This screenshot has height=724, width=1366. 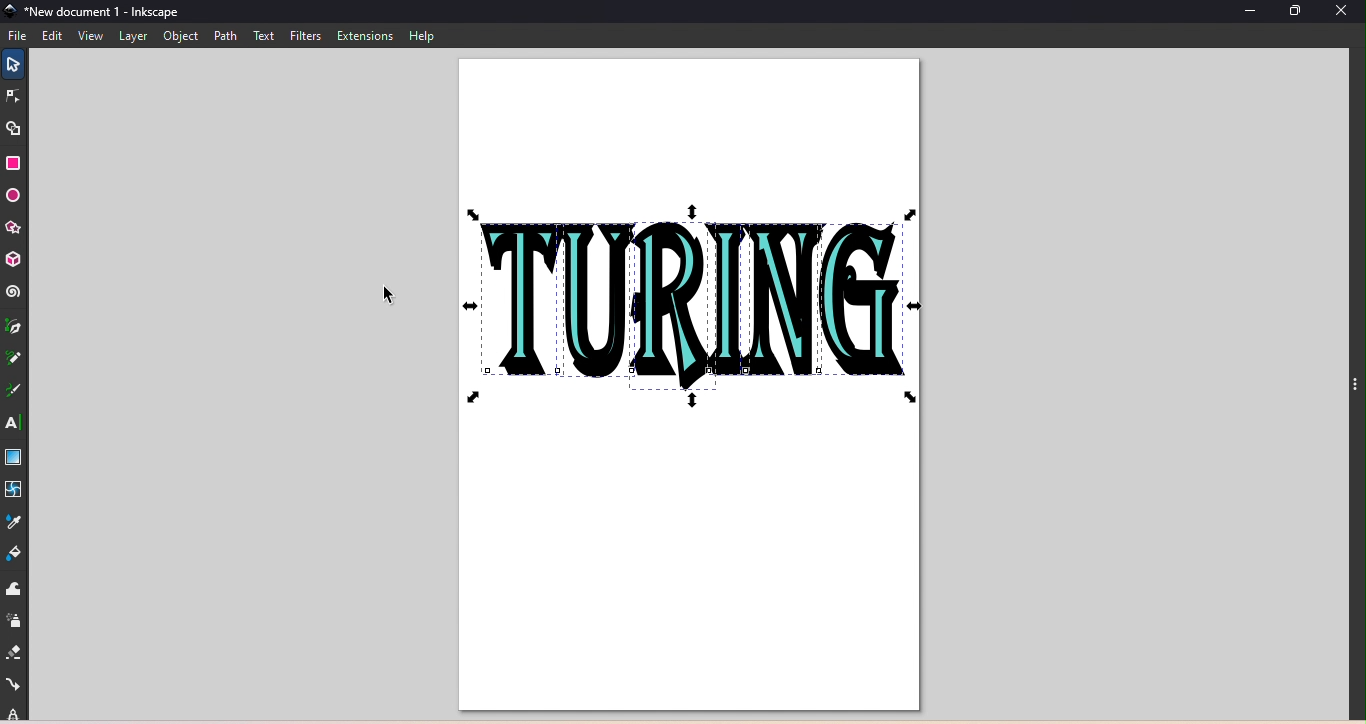 What do you see at coordinates (135, 38) in the screenshot?
I see `Layer` at bounding box center [135, 38].